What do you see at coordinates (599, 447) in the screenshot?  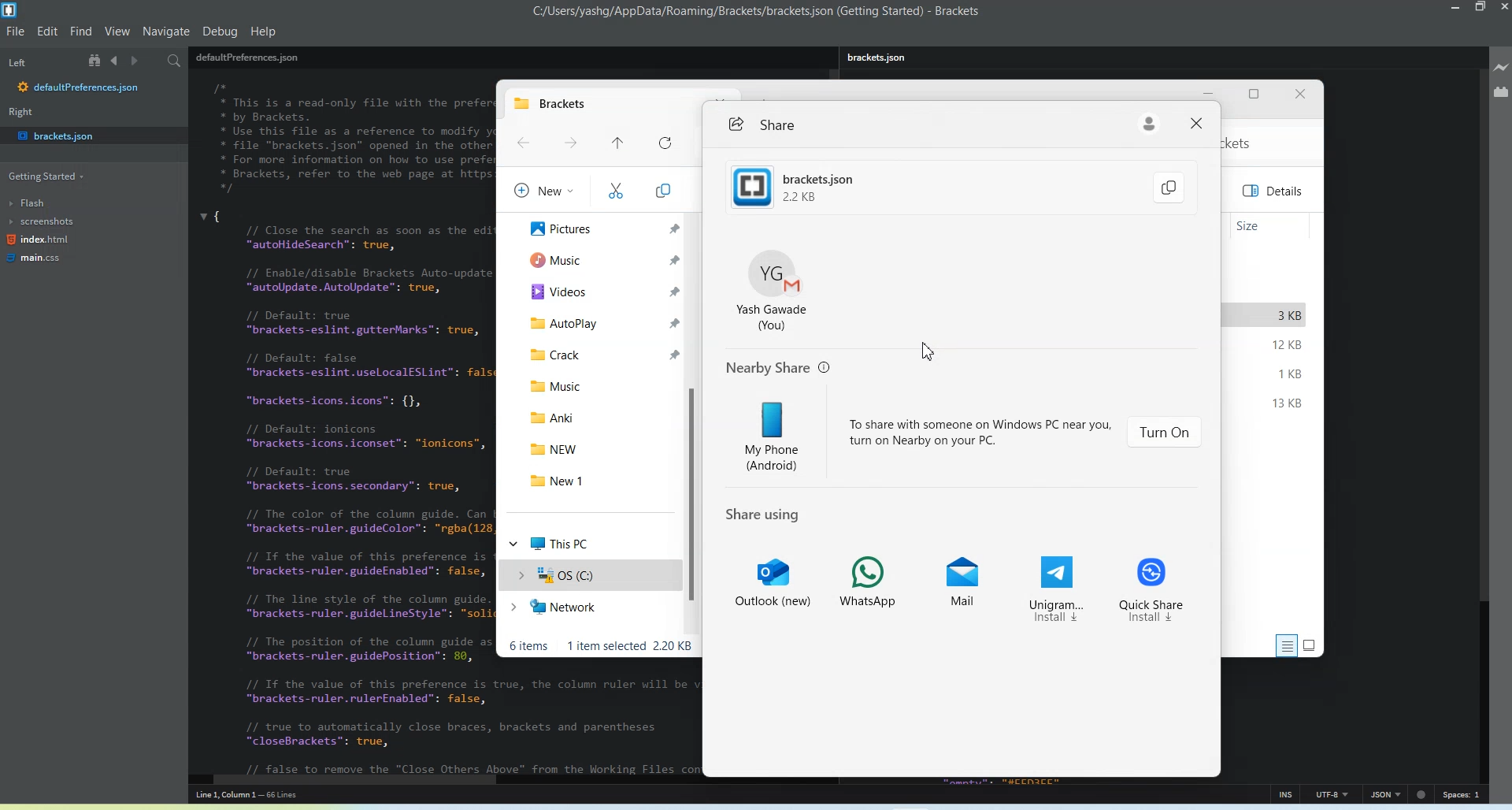 I see `NEW` at bounding box center [599, 447].